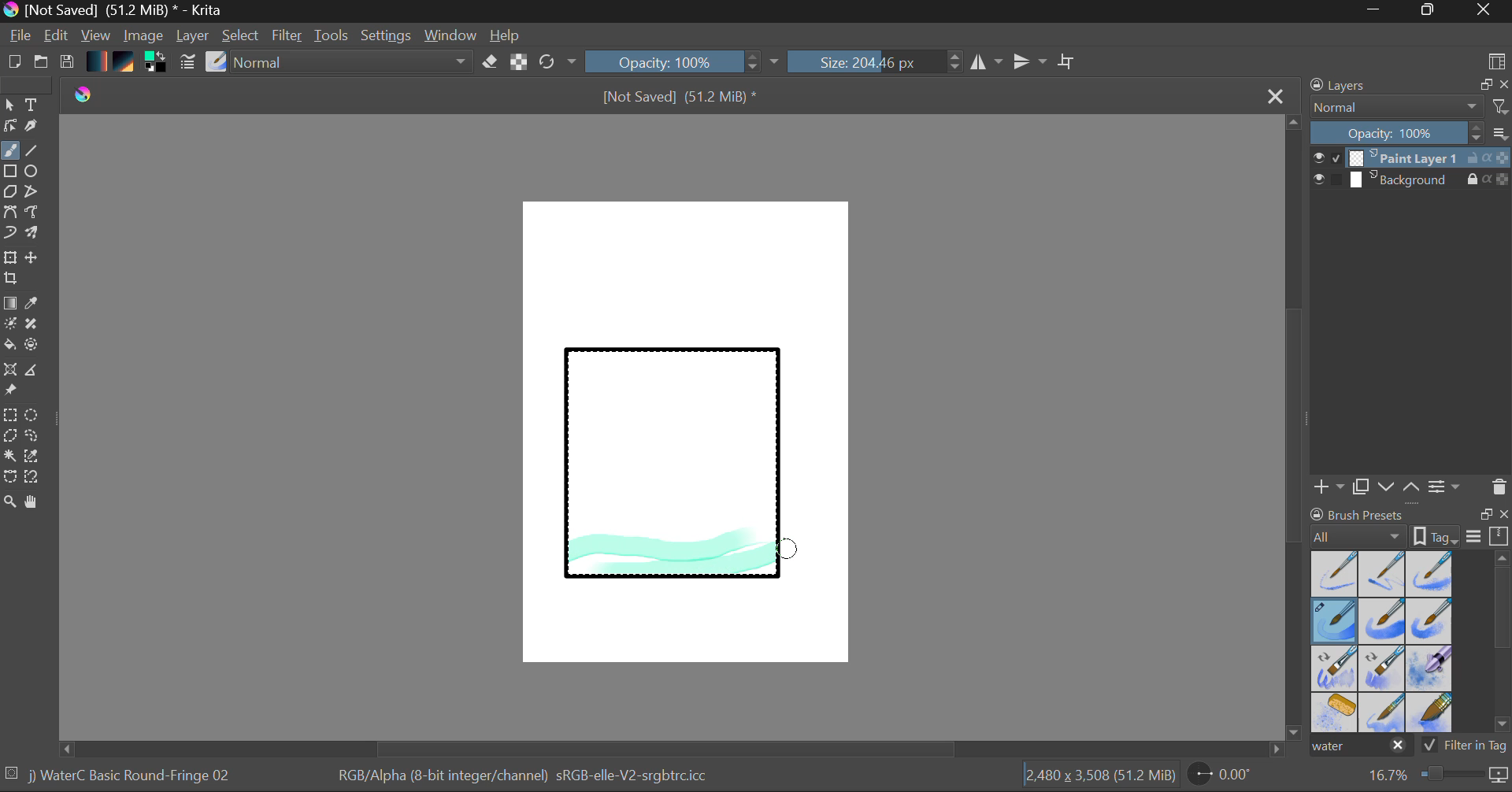  I want to click on Smart Patch Tool, so click(37, 327).